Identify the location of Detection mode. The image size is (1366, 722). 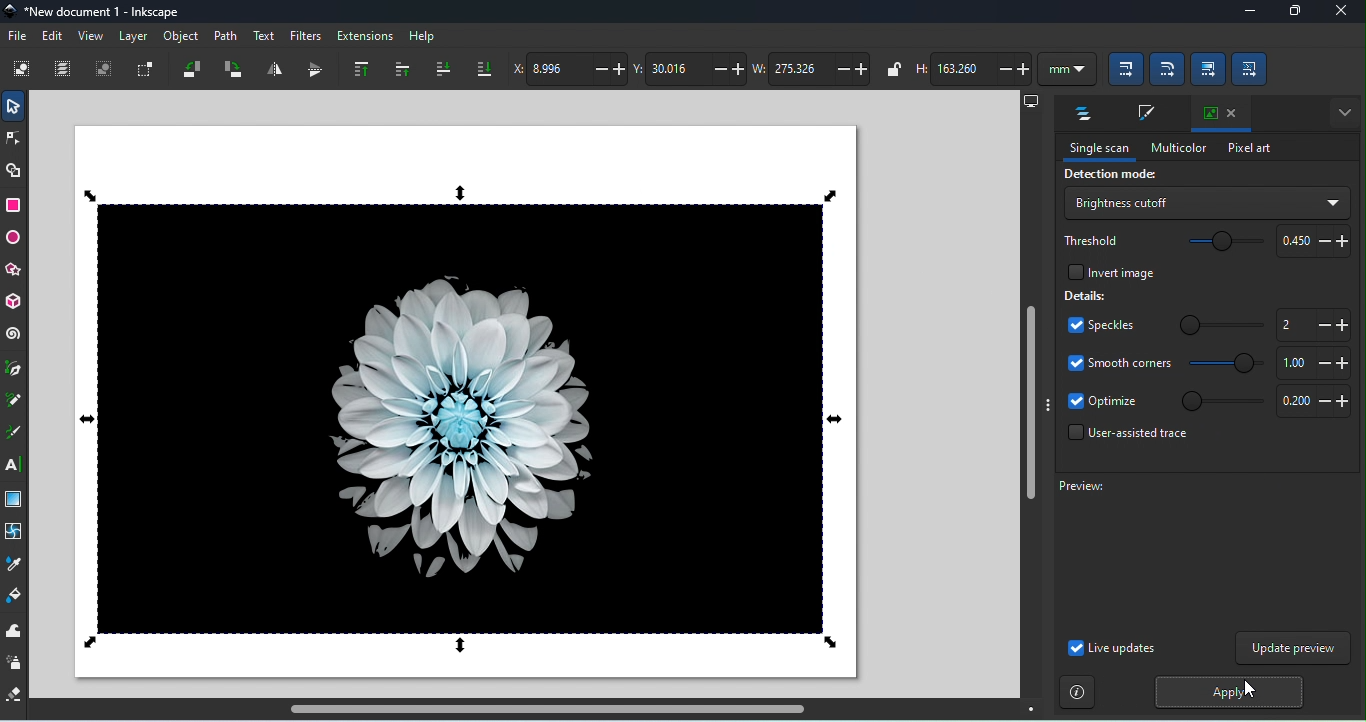
(1108, 175).